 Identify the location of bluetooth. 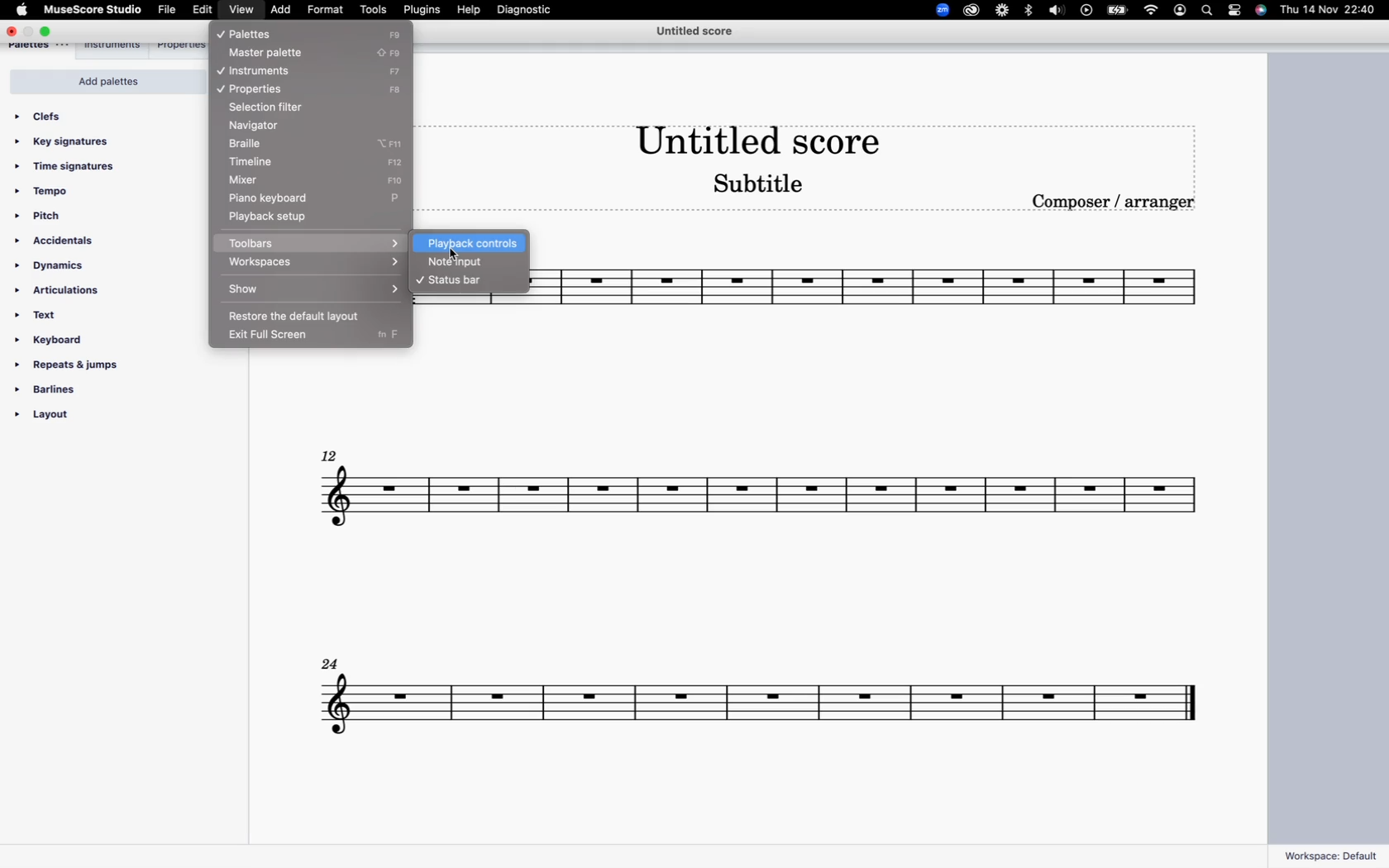
(1028, 11).